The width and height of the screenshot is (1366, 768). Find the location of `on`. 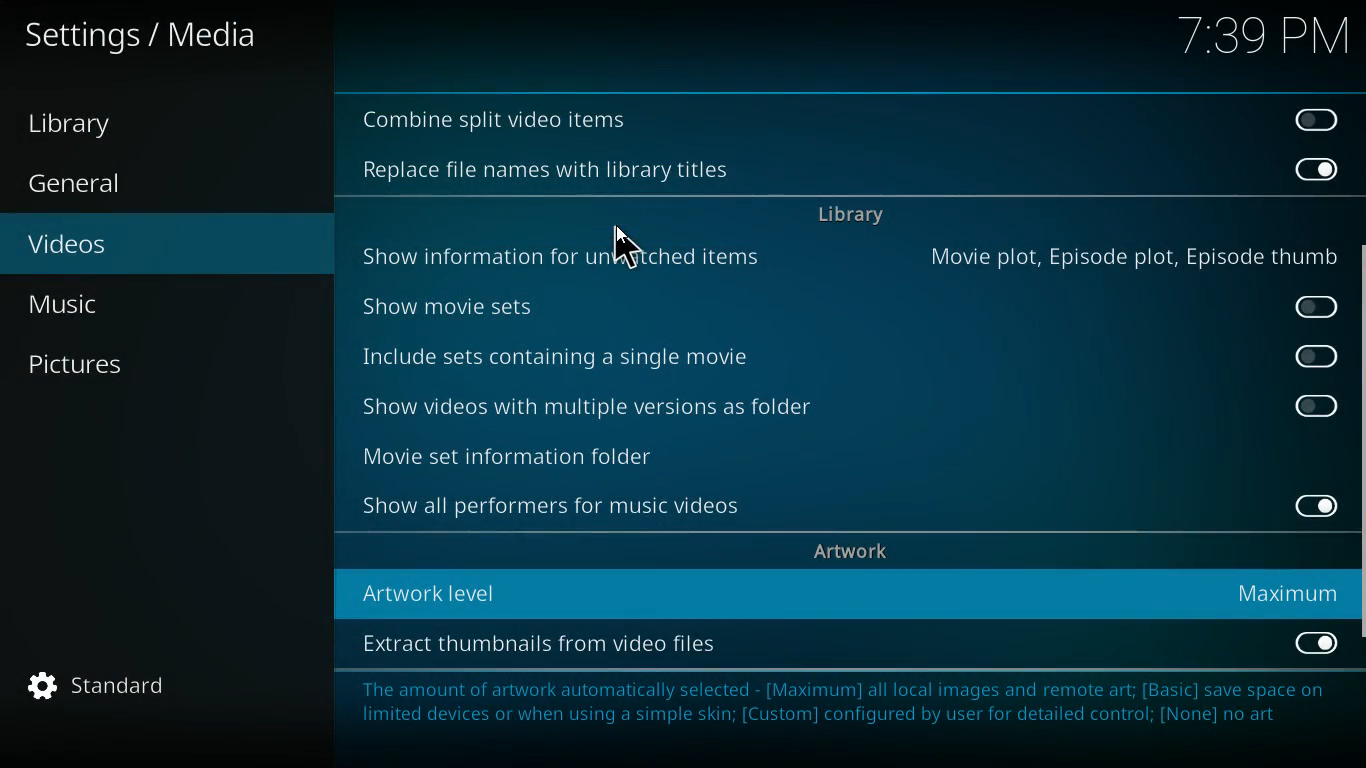

on is located at coordinates (1315, 505).